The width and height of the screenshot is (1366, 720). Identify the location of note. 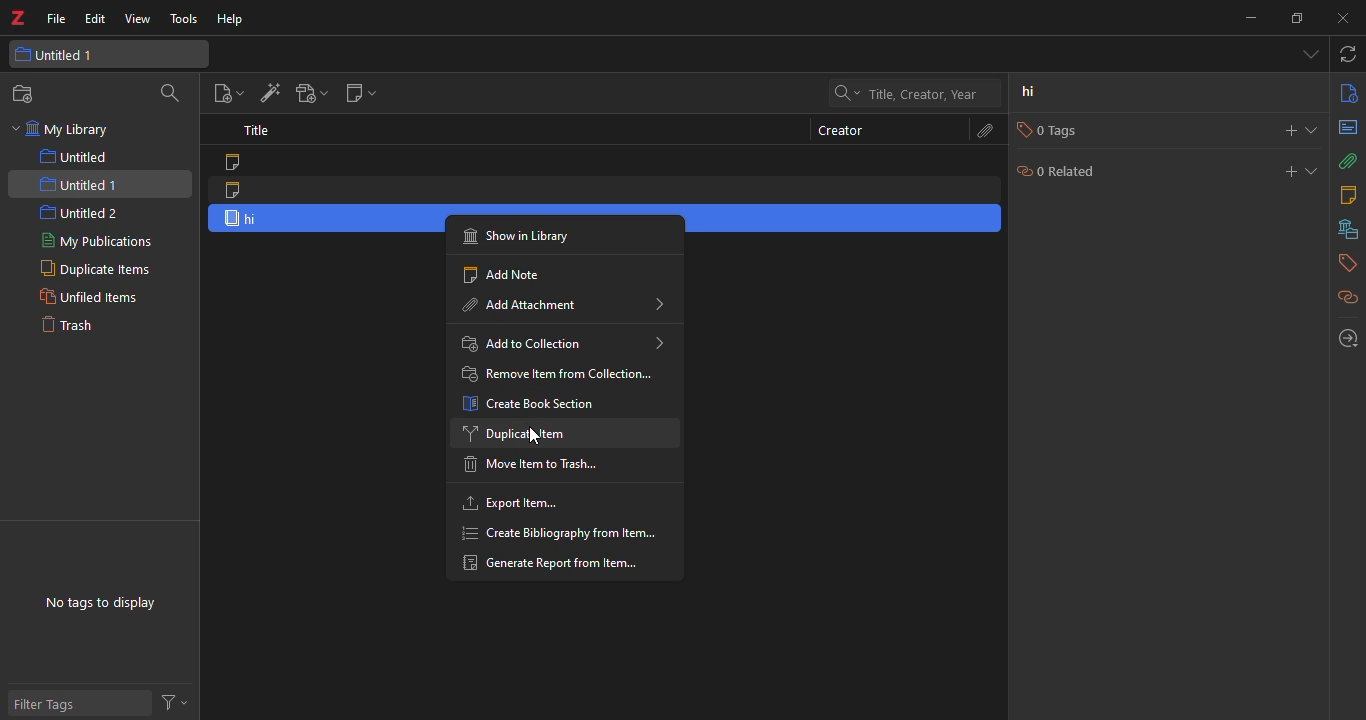
(238, 191).